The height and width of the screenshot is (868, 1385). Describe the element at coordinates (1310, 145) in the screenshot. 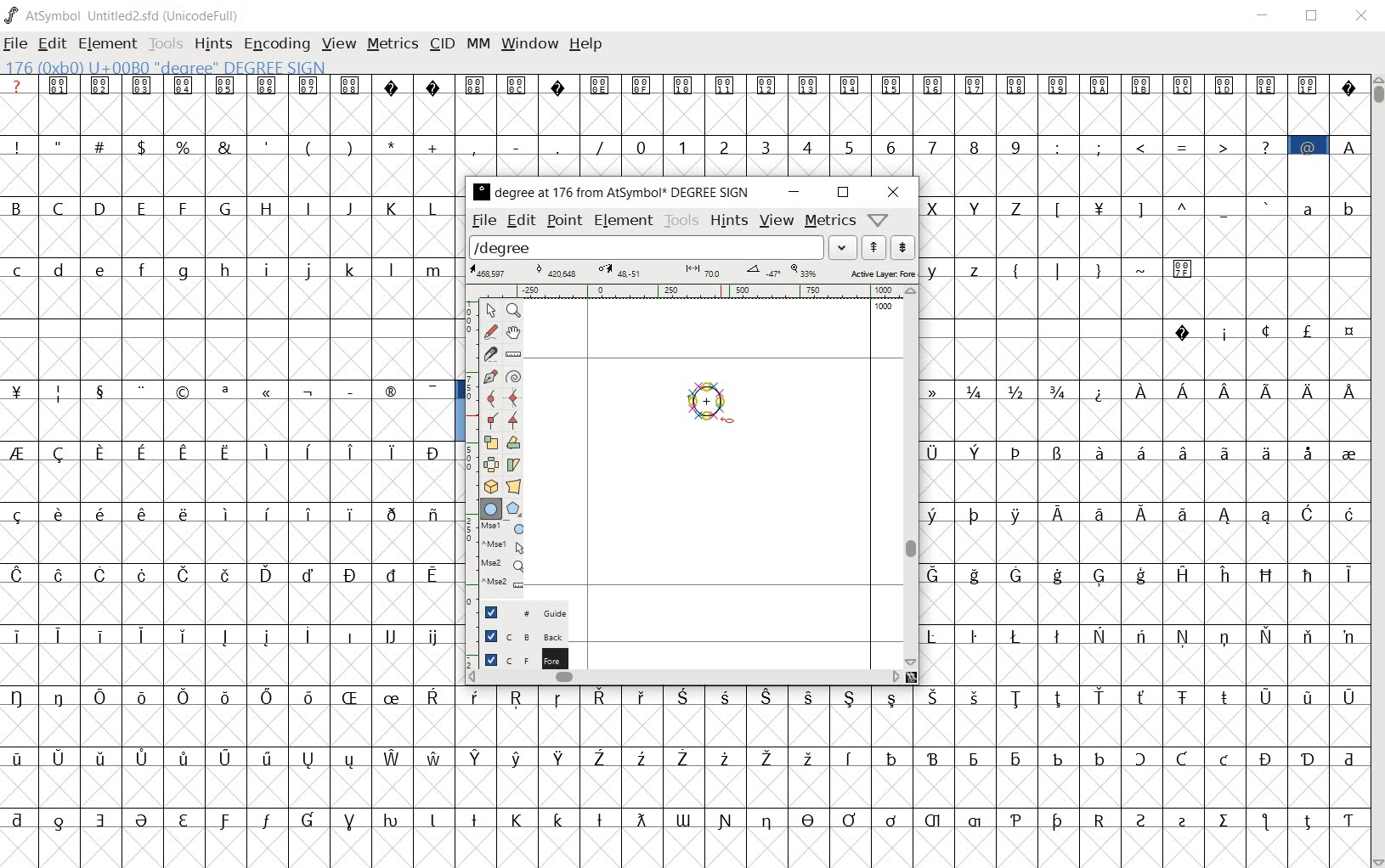

I see `@` at that location.